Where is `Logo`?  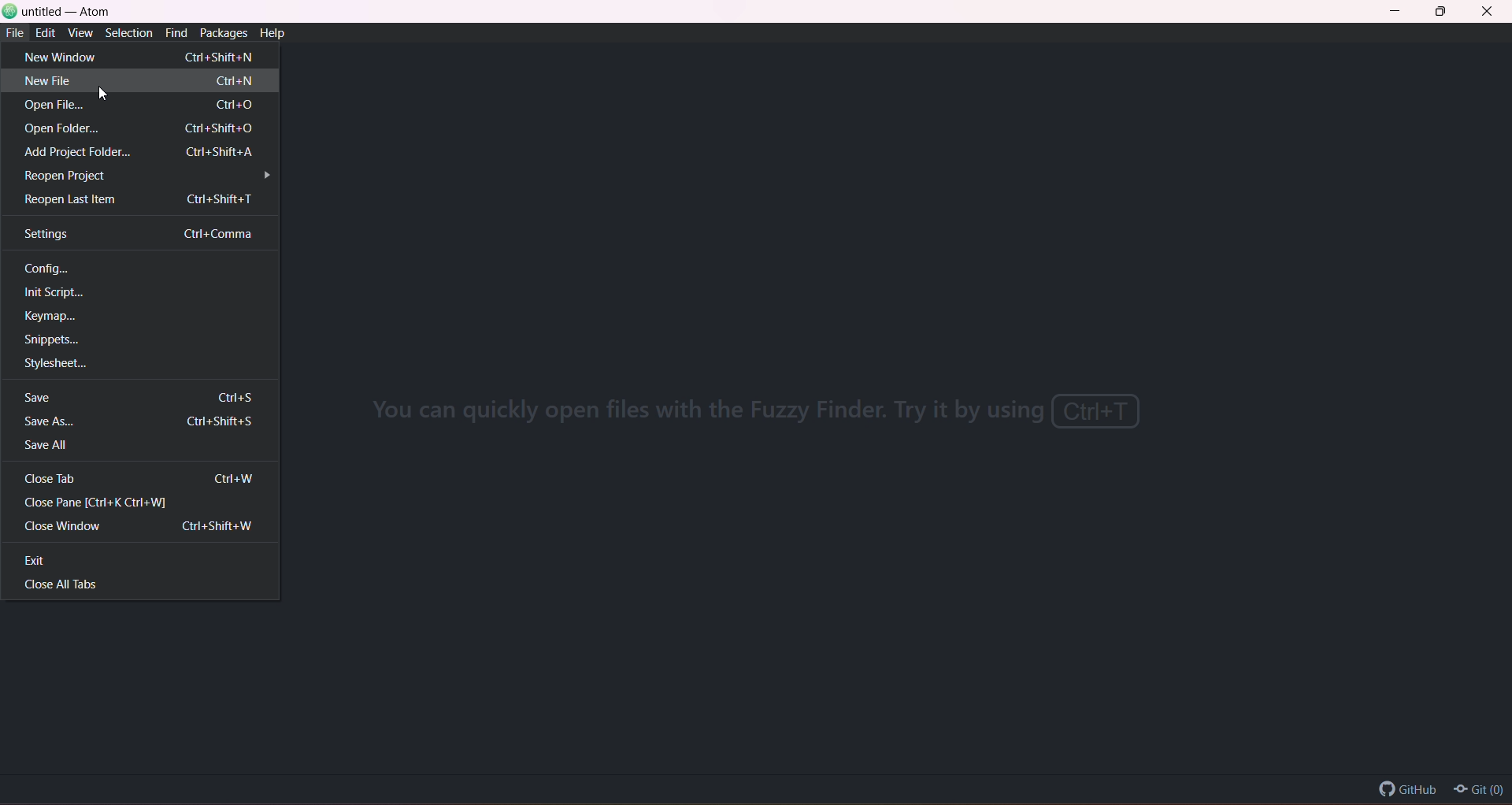 Logo is located at coordinates (10, 11).